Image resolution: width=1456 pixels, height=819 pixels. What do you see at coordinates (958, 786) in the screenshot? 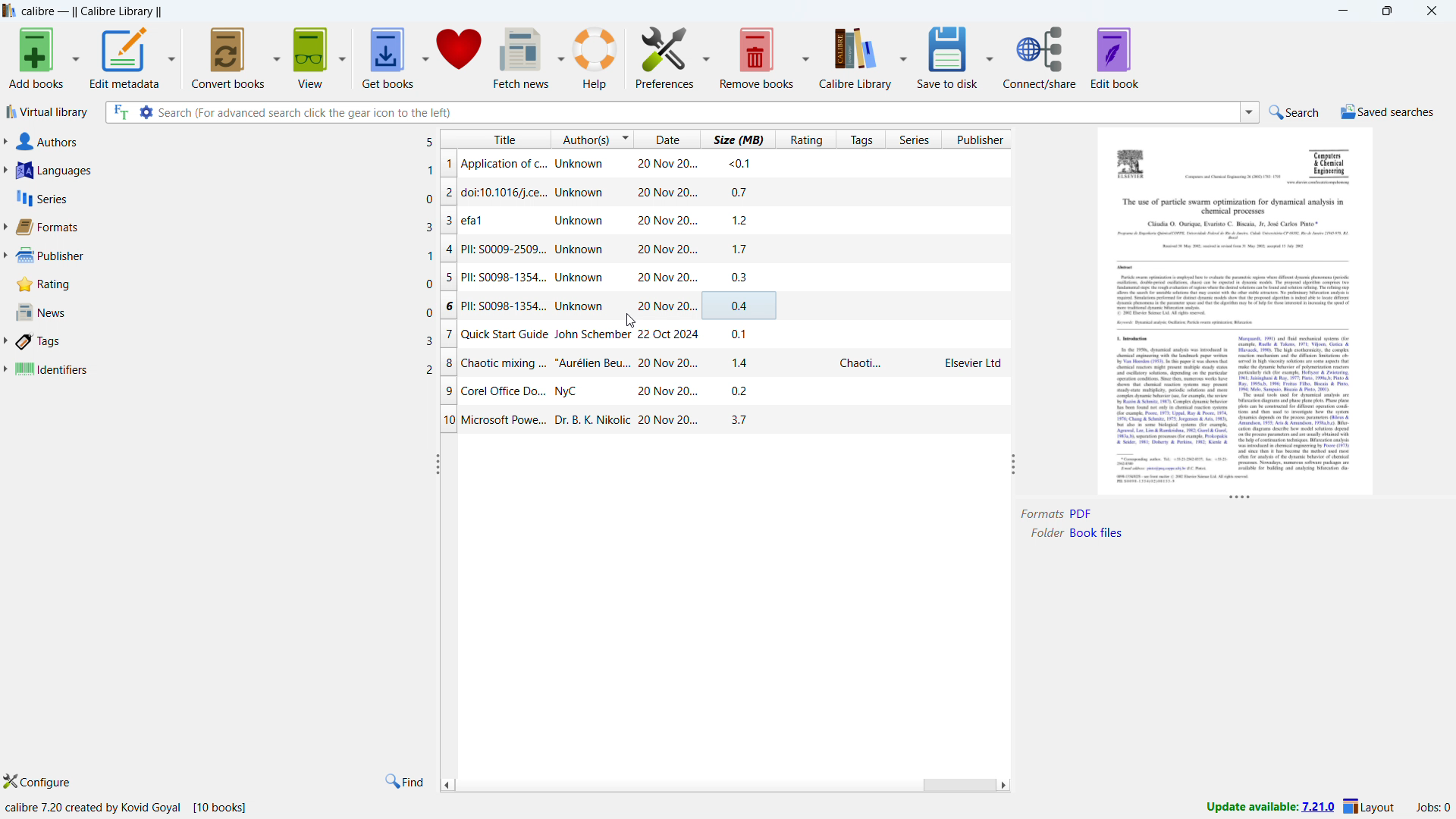
I see `scrollbar` at bounding box center [958, 786].